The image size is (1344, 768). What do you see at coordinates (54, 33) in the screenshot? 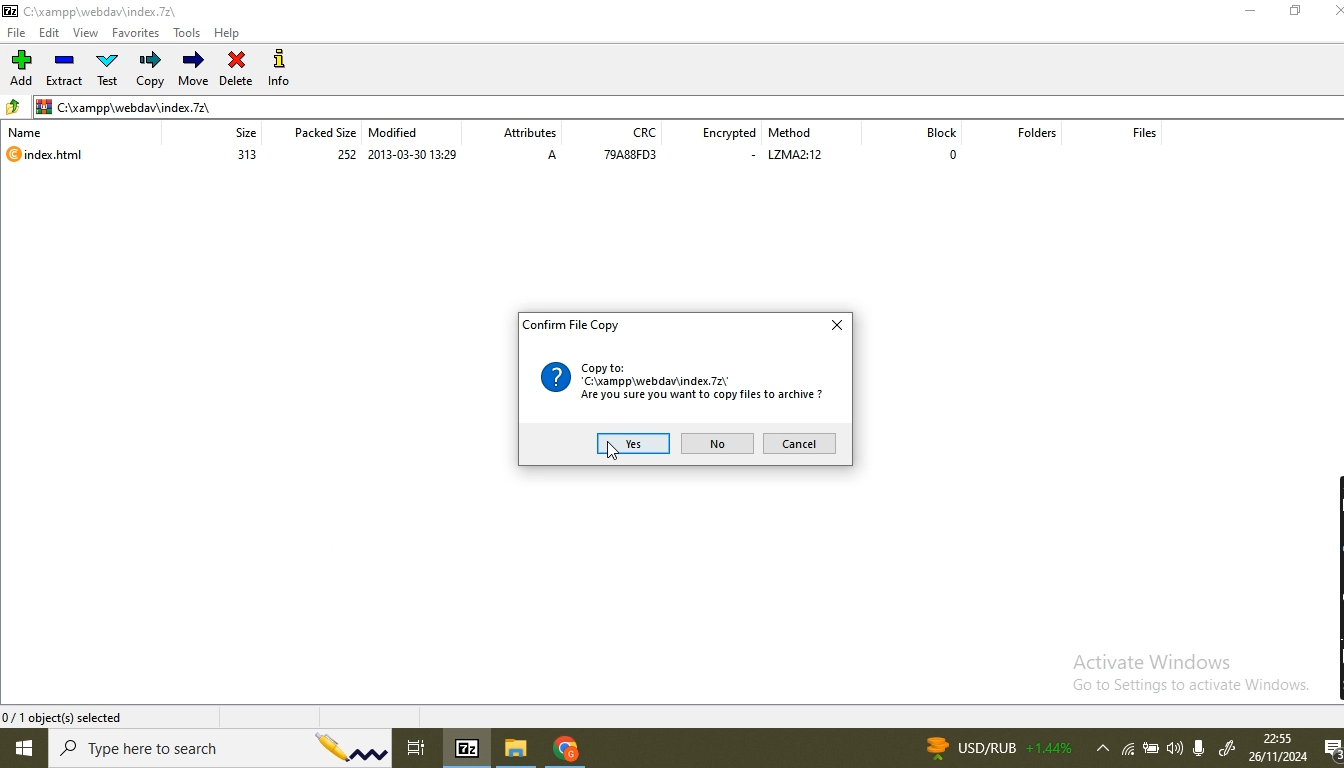
I see `edit` at bounding box center [54, 33].